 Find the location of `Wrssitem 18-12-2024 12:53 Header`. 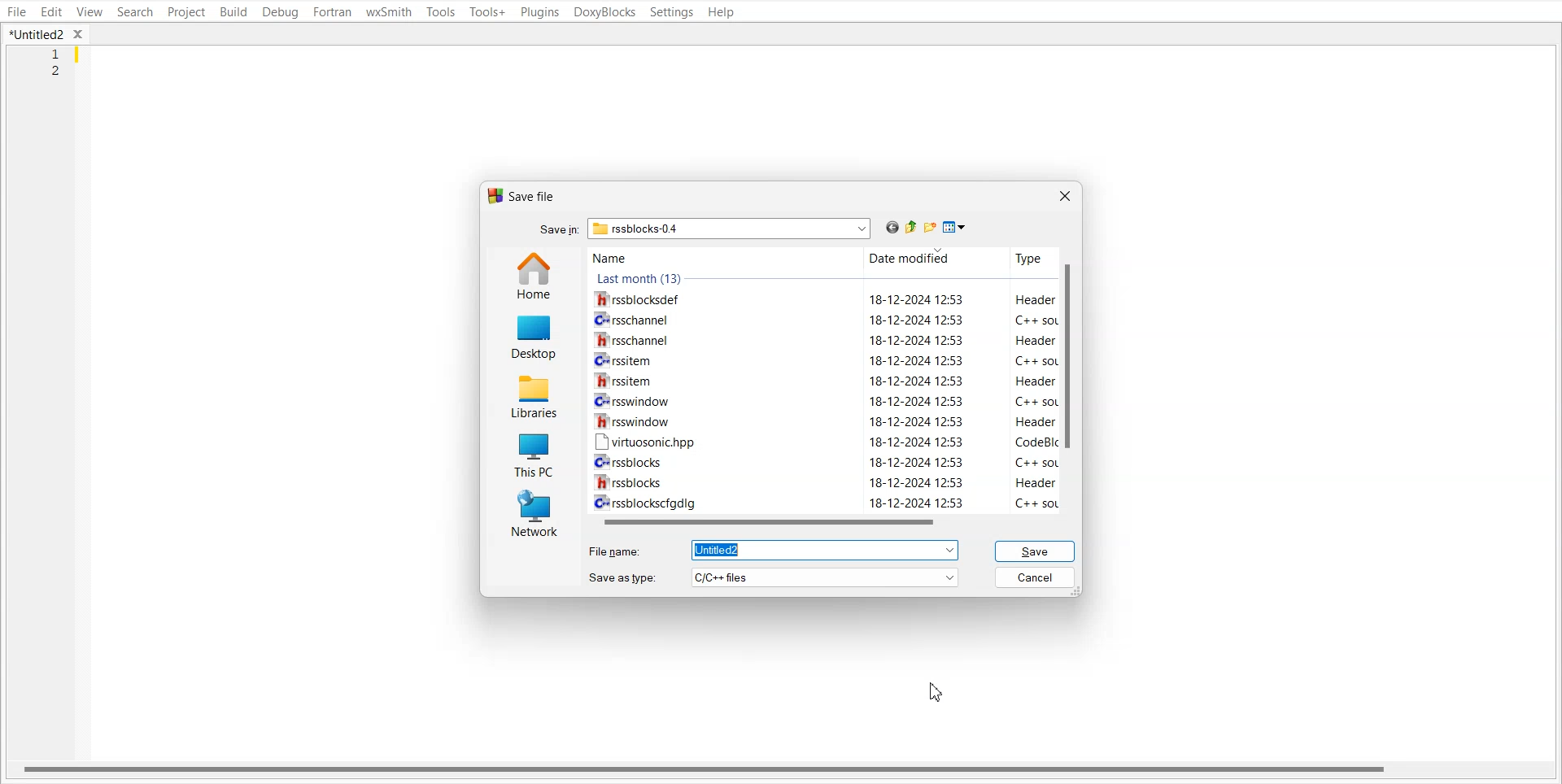

Wrssitem 18-12-2024 12:53 Header is located at coordinates (826, 379).